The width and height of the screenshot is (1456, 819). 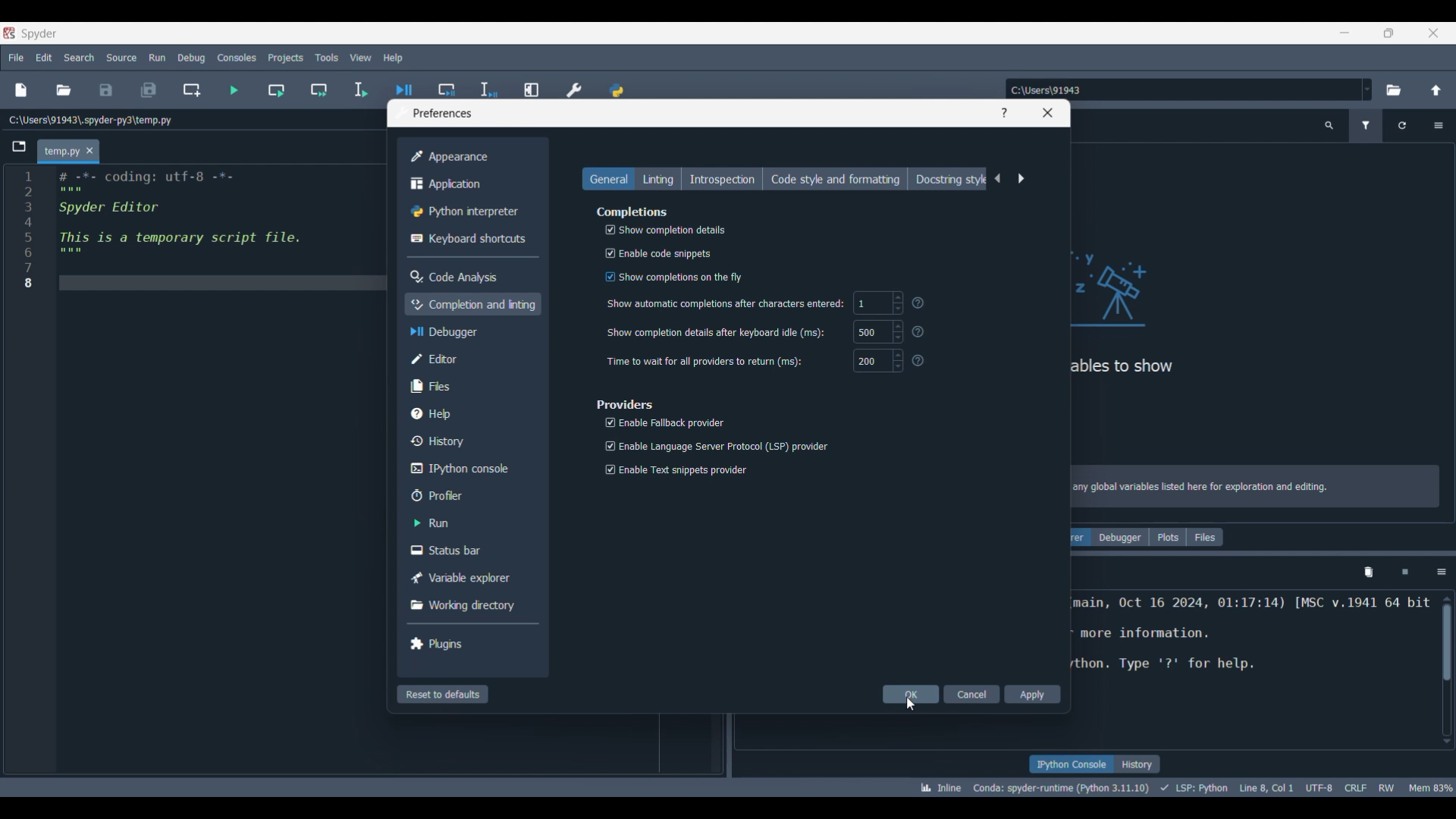 I want to click on Editor, so click(x=471, y=359).